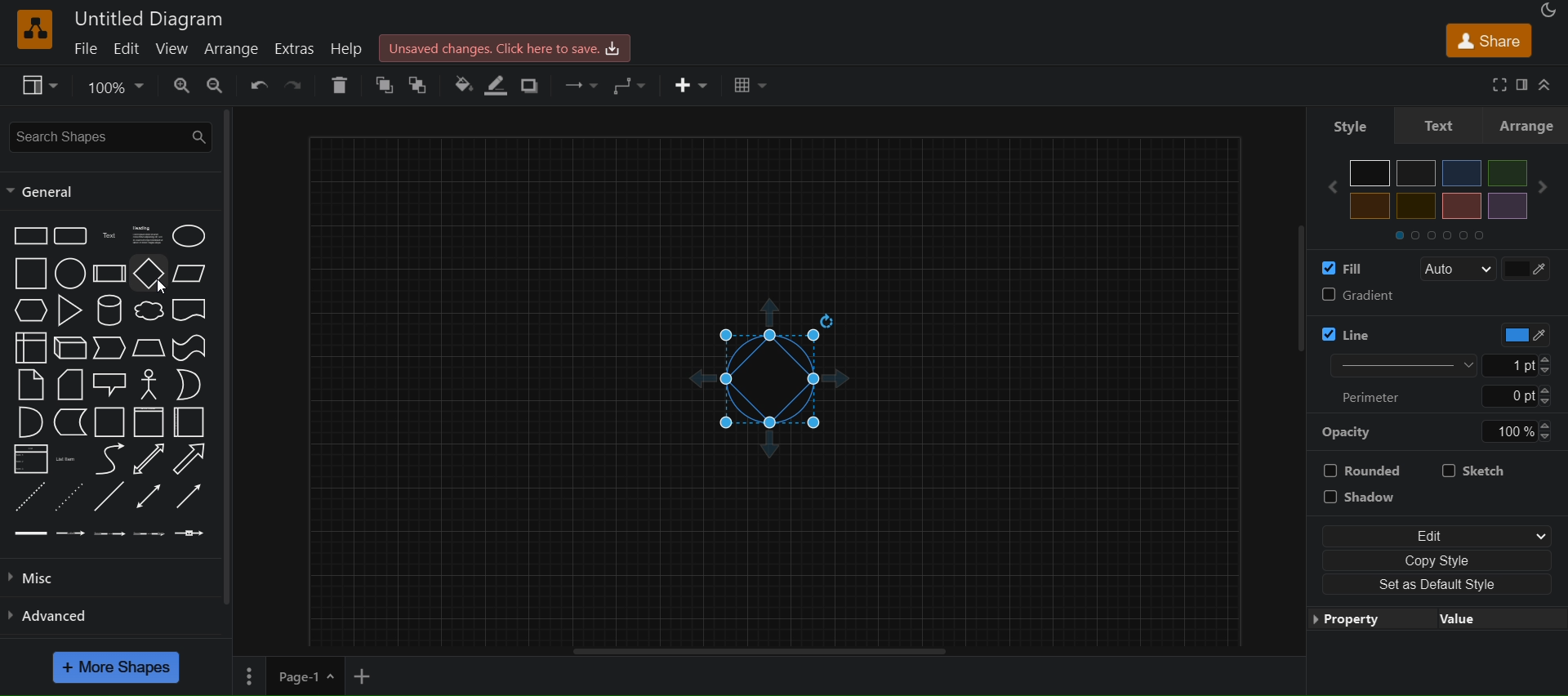 This screenshot has width=1568, height=696. I want to click on help, so click(353, 50).